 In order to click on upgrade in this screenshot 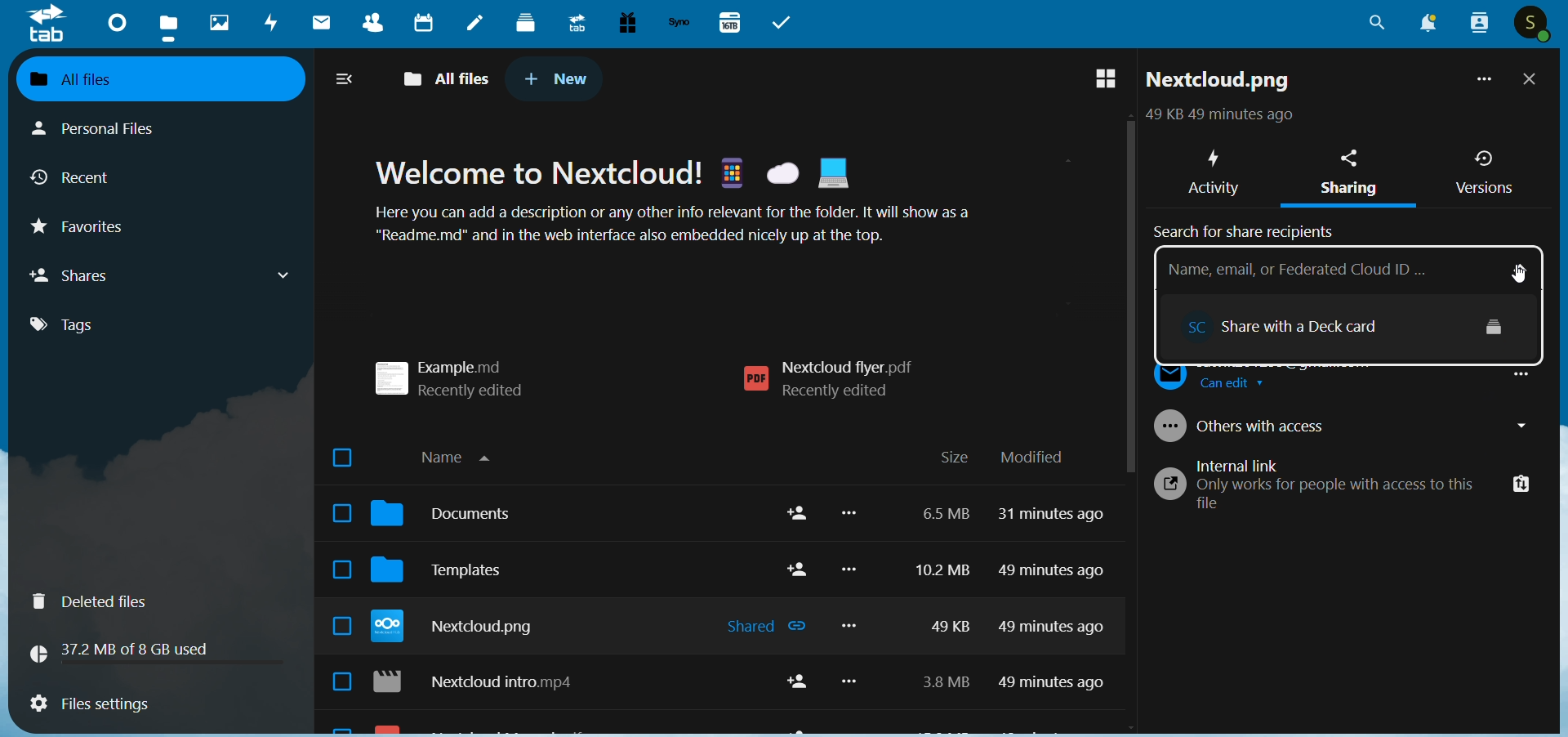, I will do `click(574, 22)`.